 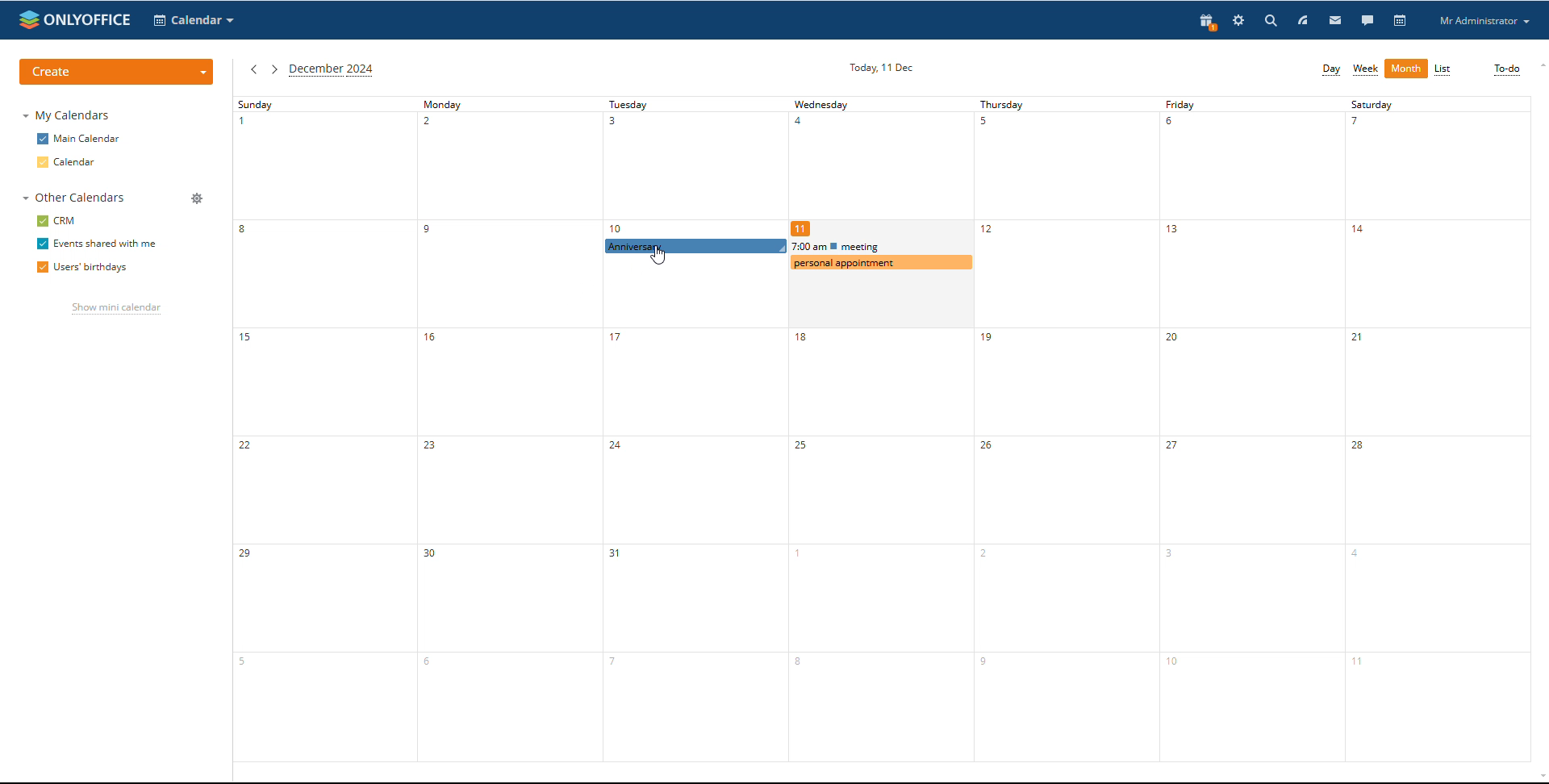 What do you see at coordinates (696, 245) in the screenshot?
I see `recurring event` at bounding box center [696, 245].